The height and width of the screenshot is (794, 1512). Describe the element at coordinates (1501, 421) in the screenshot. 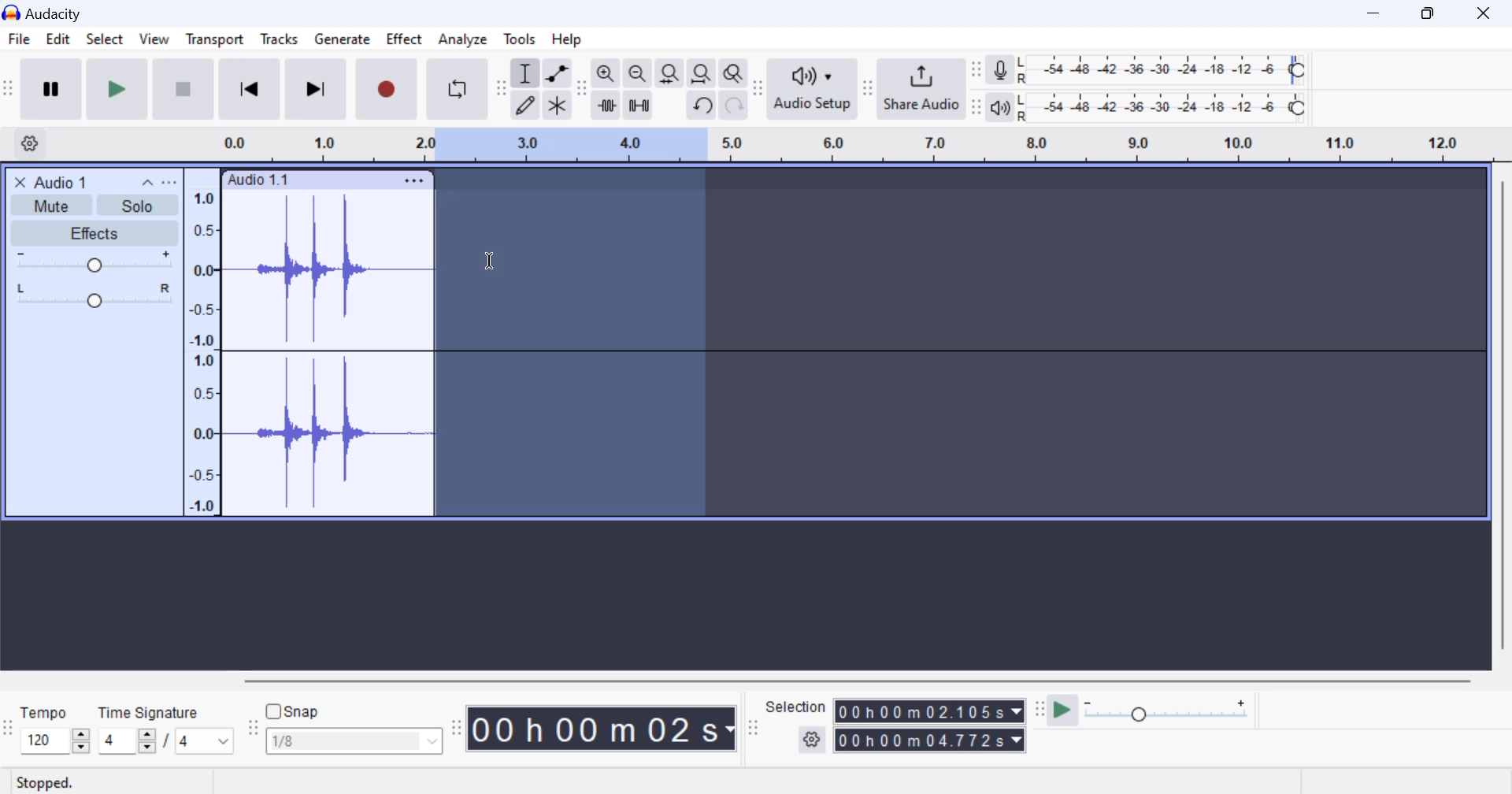

I see `vertical scrollbar` at that location.